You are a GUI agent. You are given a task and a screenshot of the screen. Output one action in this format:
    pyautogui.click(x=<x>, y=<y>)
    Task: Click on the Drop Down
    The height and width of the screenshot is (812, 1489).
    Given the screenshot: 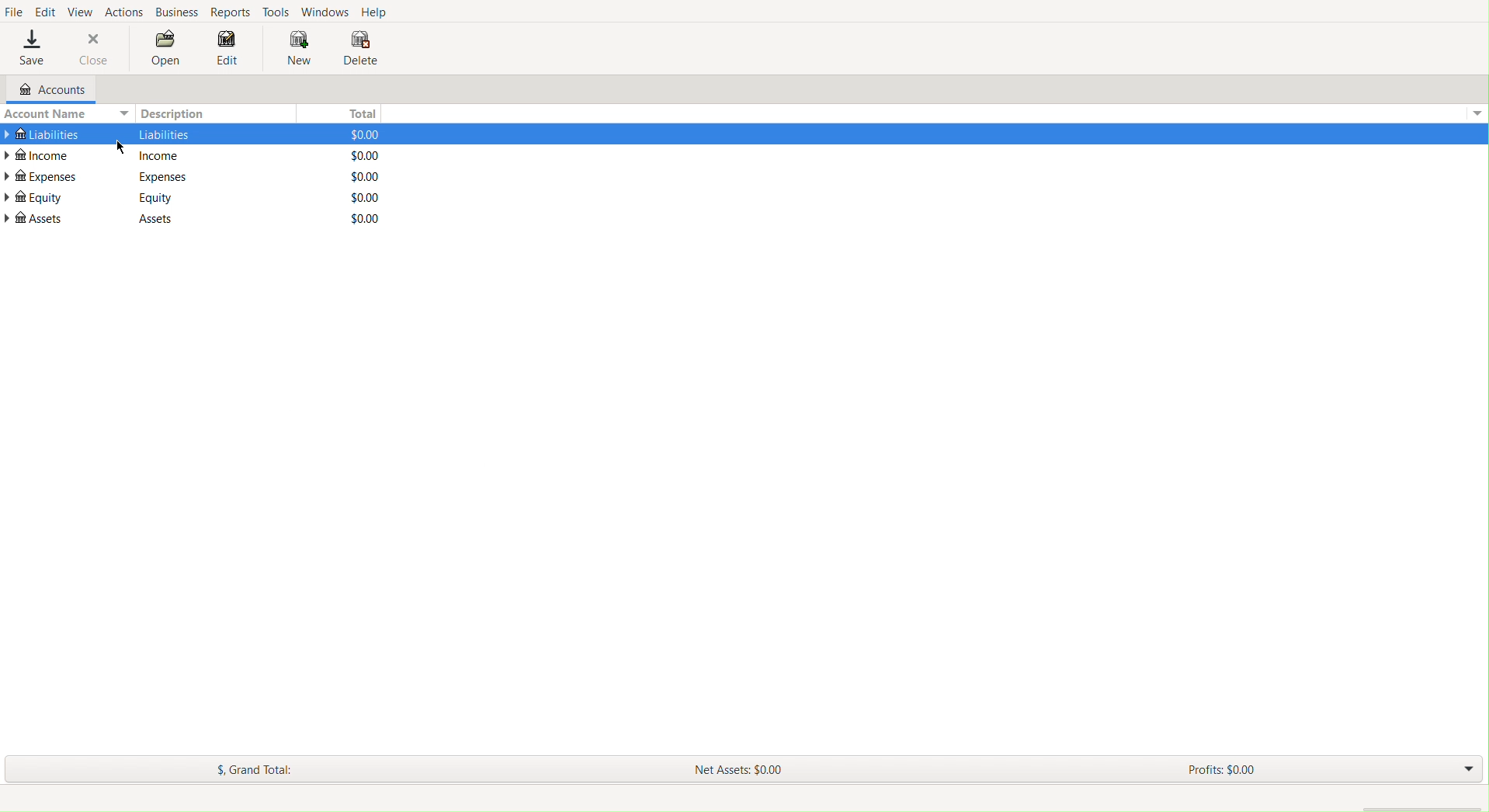 What is the action you would take?
    pyautogui.click(x=1466, y=769)
    